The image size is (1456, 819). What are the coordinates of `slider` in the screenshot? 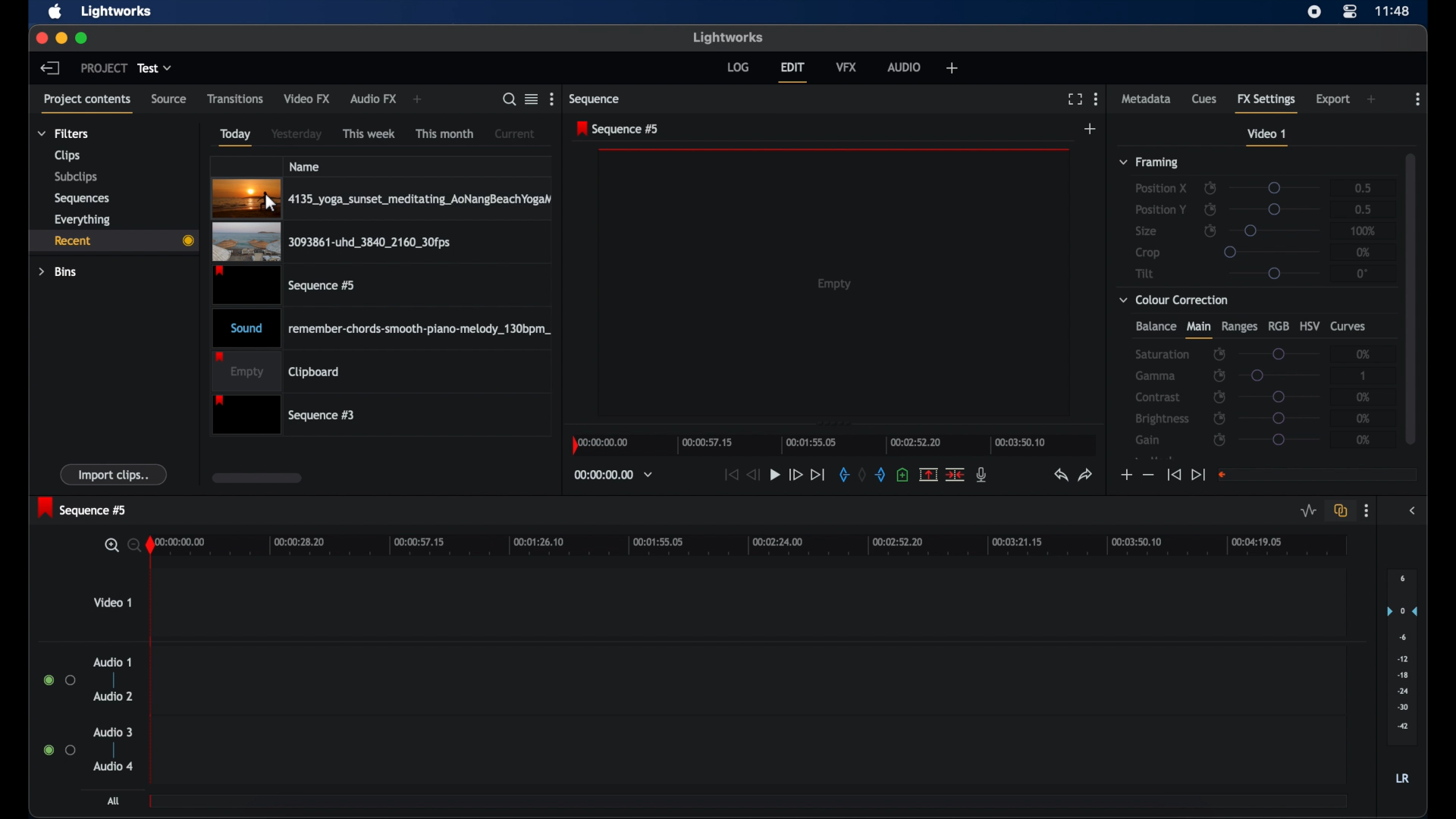 It's located at (1279, 353).